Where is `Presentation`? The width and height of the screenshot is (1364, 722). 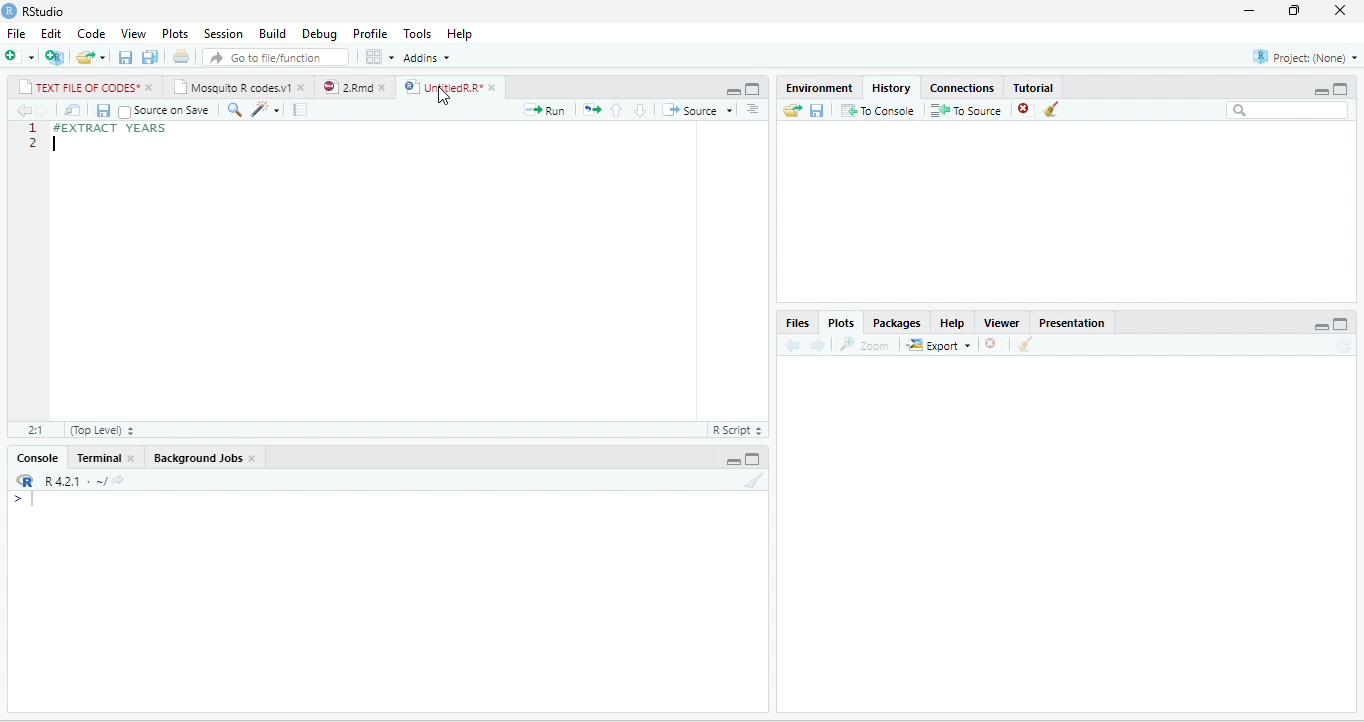 Presentation is located at coordinates (1072, 323).